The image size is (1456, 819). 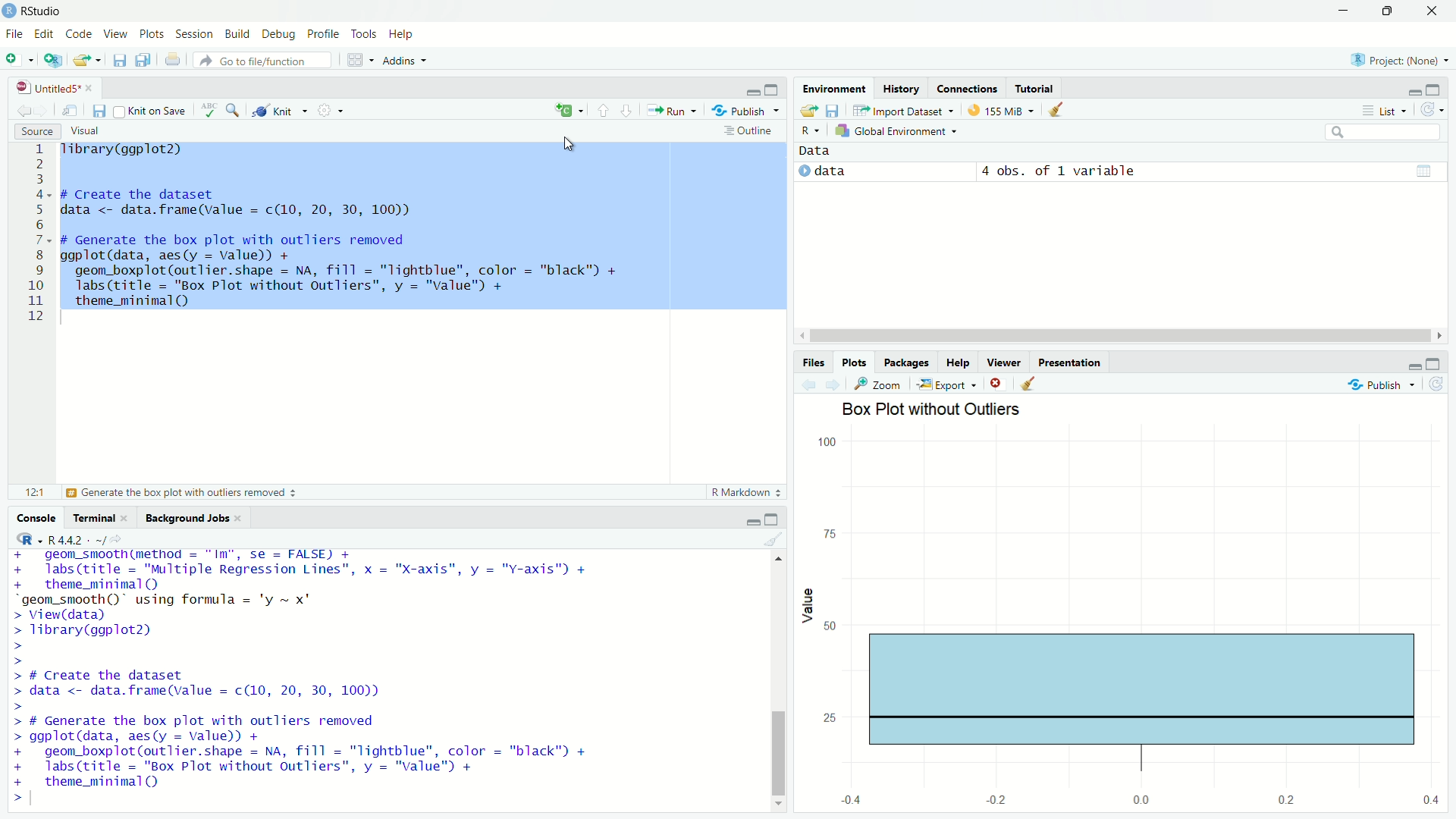 I want to click on Tutorial, so click(x=1036, y=86).